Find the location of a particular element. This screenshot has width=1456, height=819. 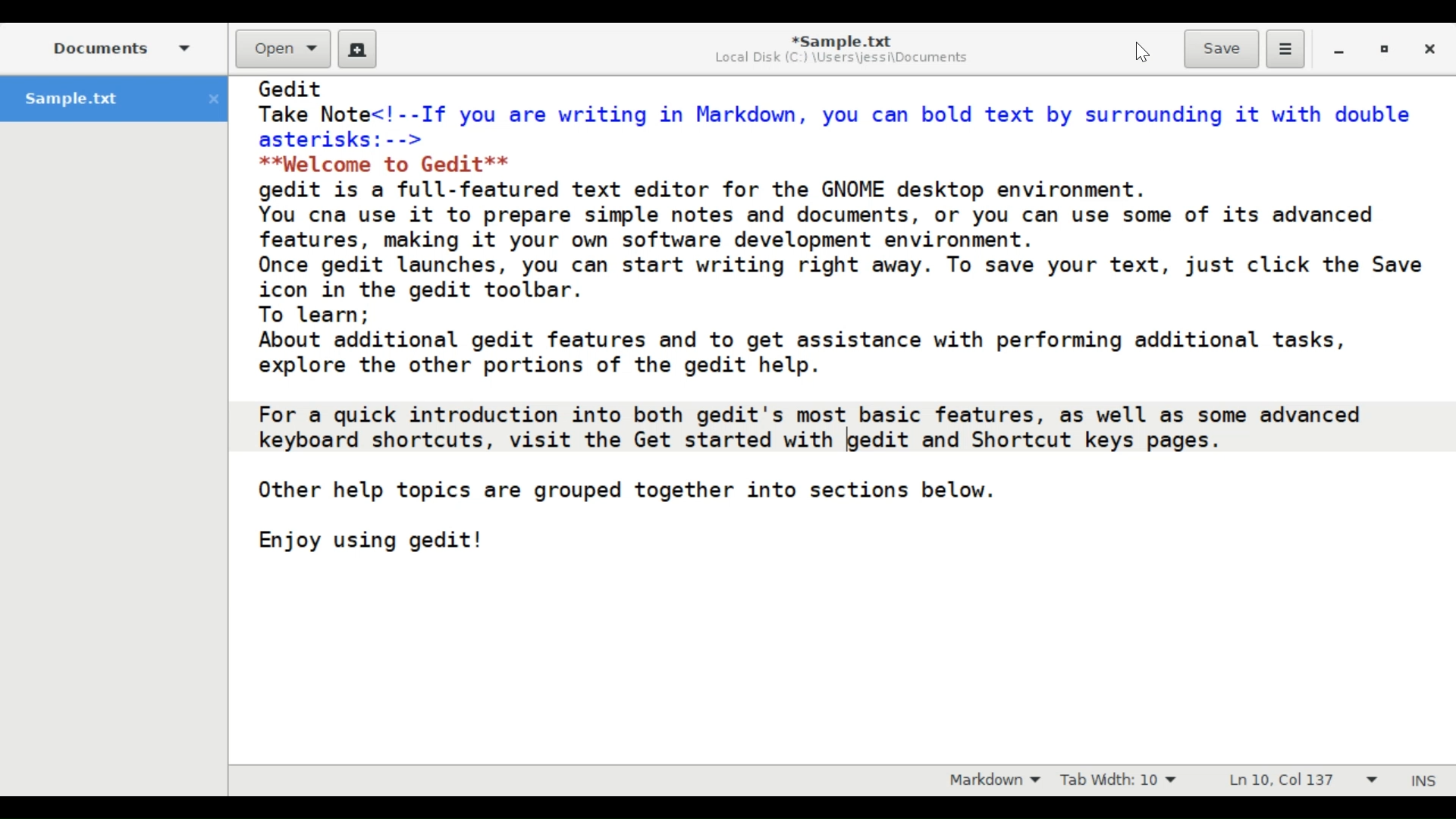

Close is located at coordinates (1432, 51).